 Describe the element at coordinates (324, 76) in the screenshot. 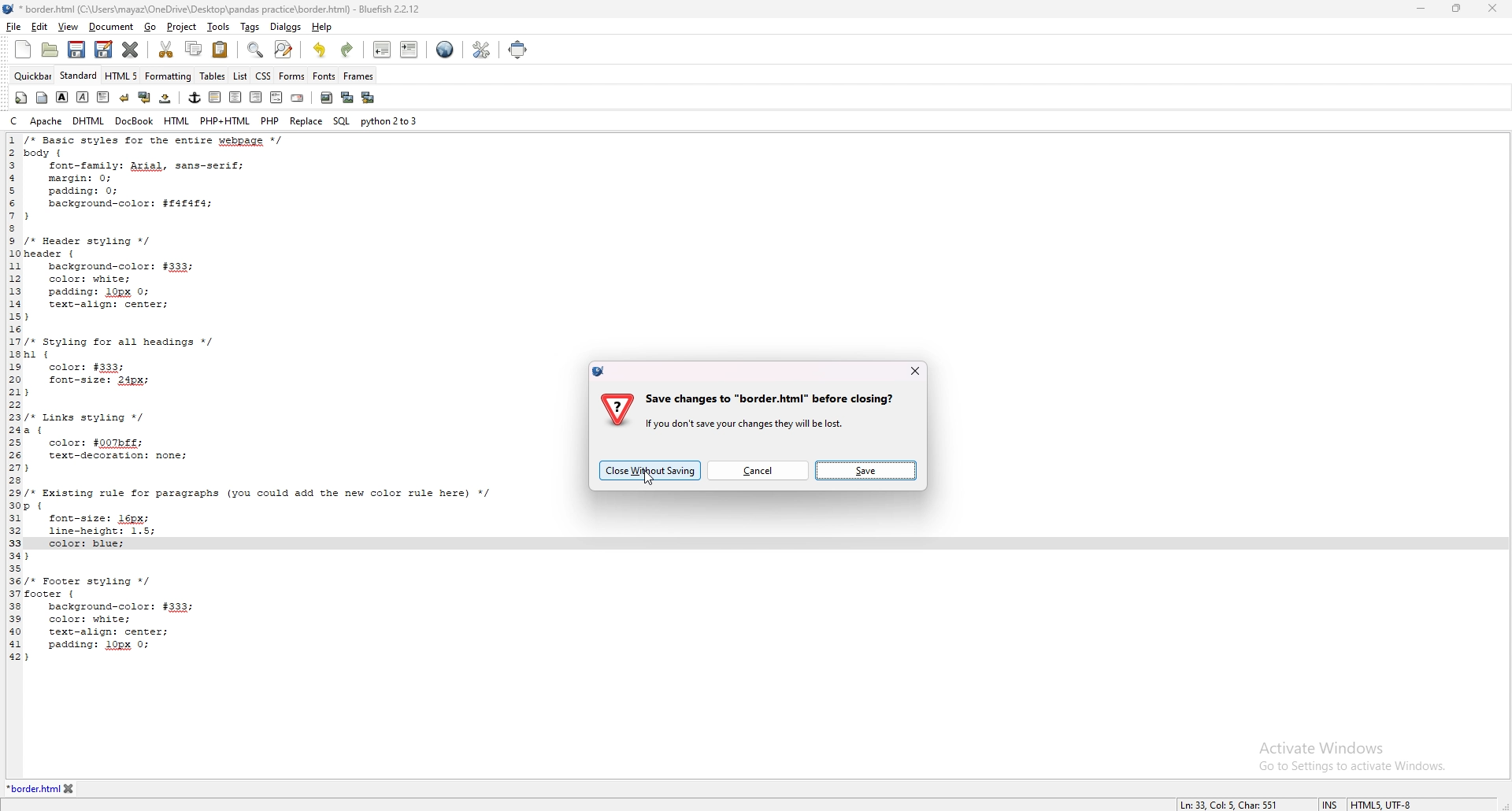

I see `fonts` at that location.